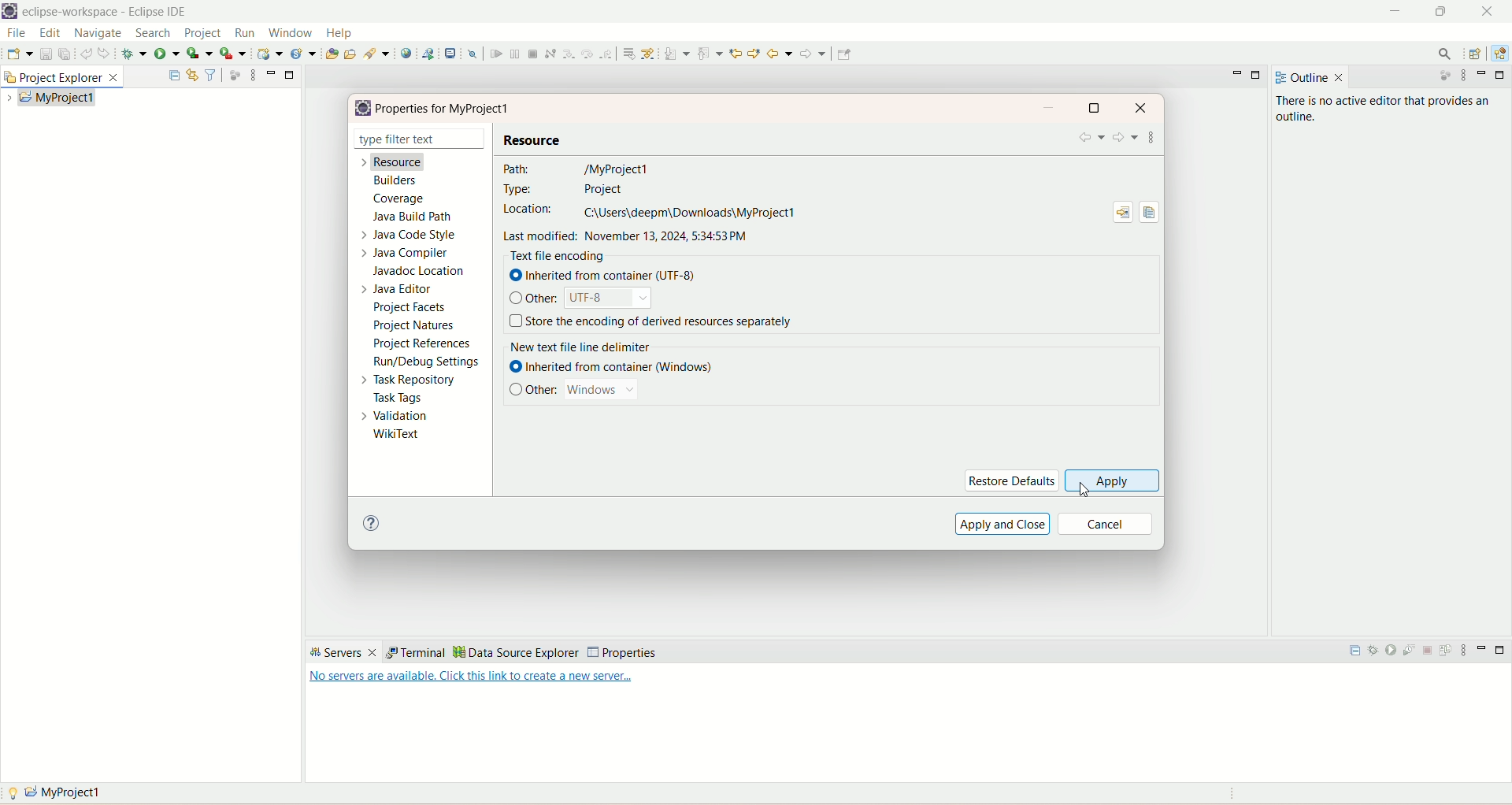  I want to click on cancel, so click(1104, 525).